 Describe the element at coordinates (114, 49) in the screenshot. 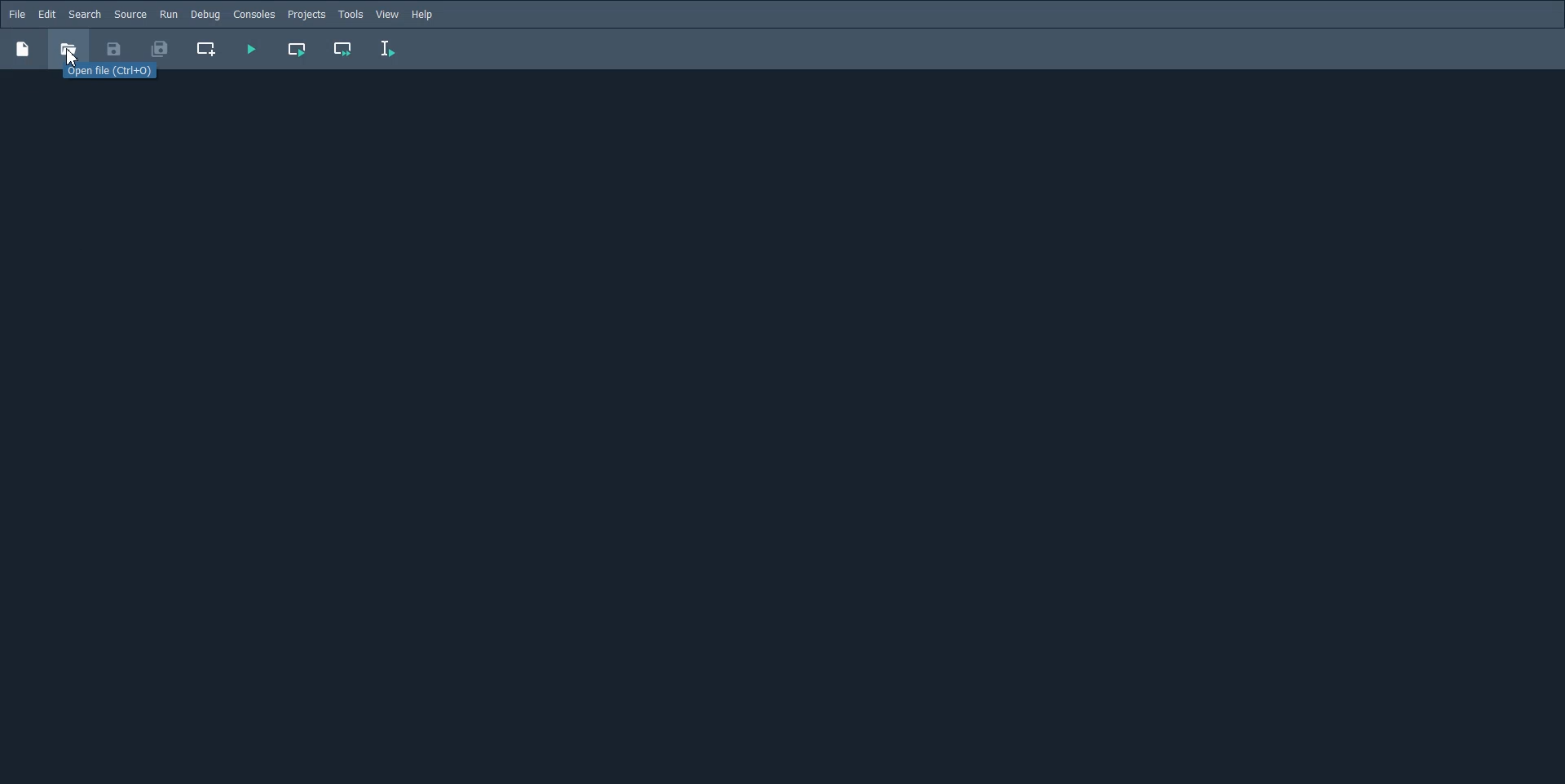

I see `Save File` at that location.